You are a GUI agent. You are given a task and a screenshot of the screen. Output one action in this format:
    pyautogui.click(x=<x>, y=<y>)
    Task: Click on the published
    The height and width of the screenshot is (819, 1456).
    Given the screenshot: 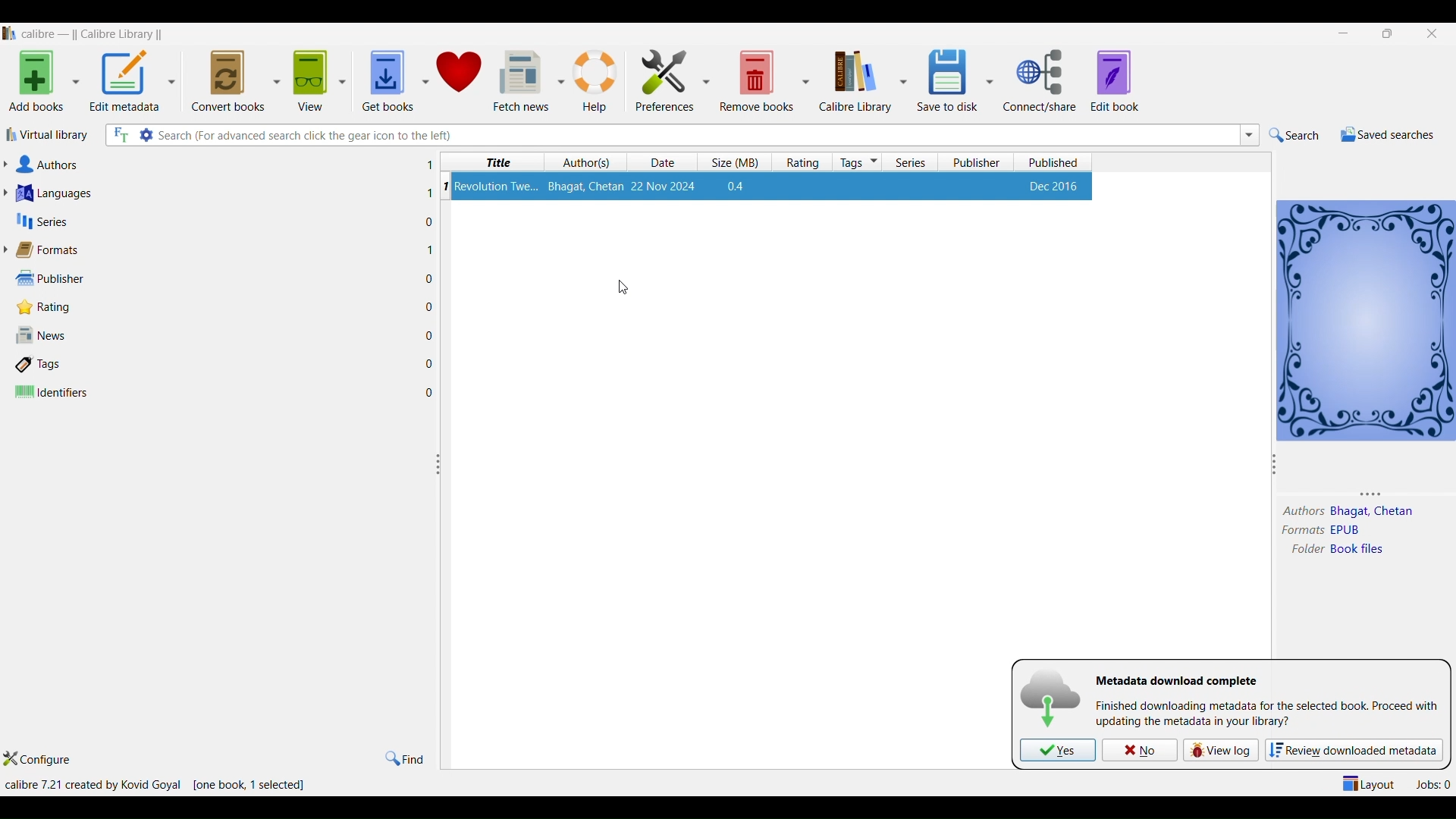 What is the action you would take?
    pyautogui.click(x=1055, y=162)
    